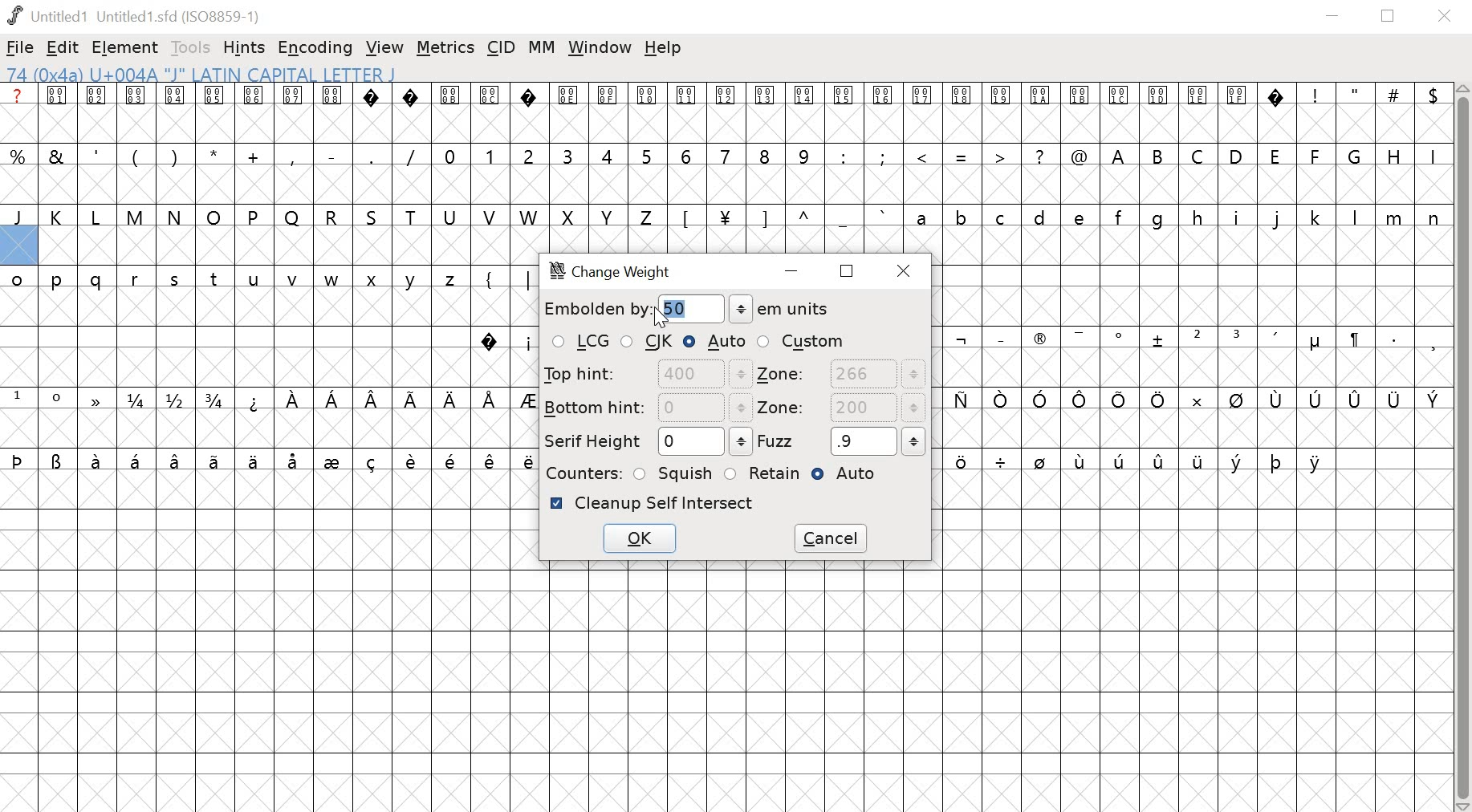  I want to click on symbols, so click(1197, 340).